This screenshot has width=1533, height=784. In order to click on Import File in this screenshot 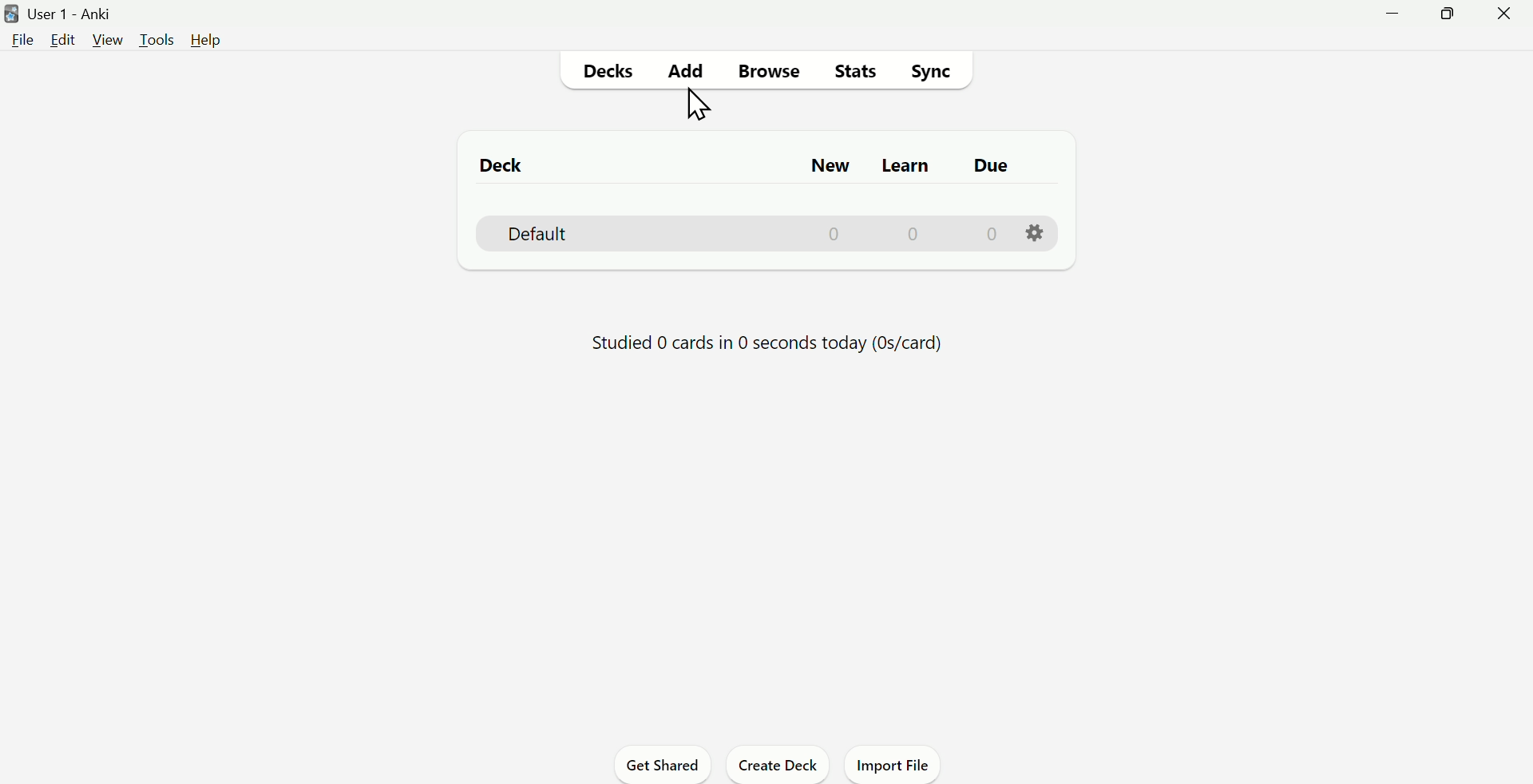, I will do `click(897, 766)`.